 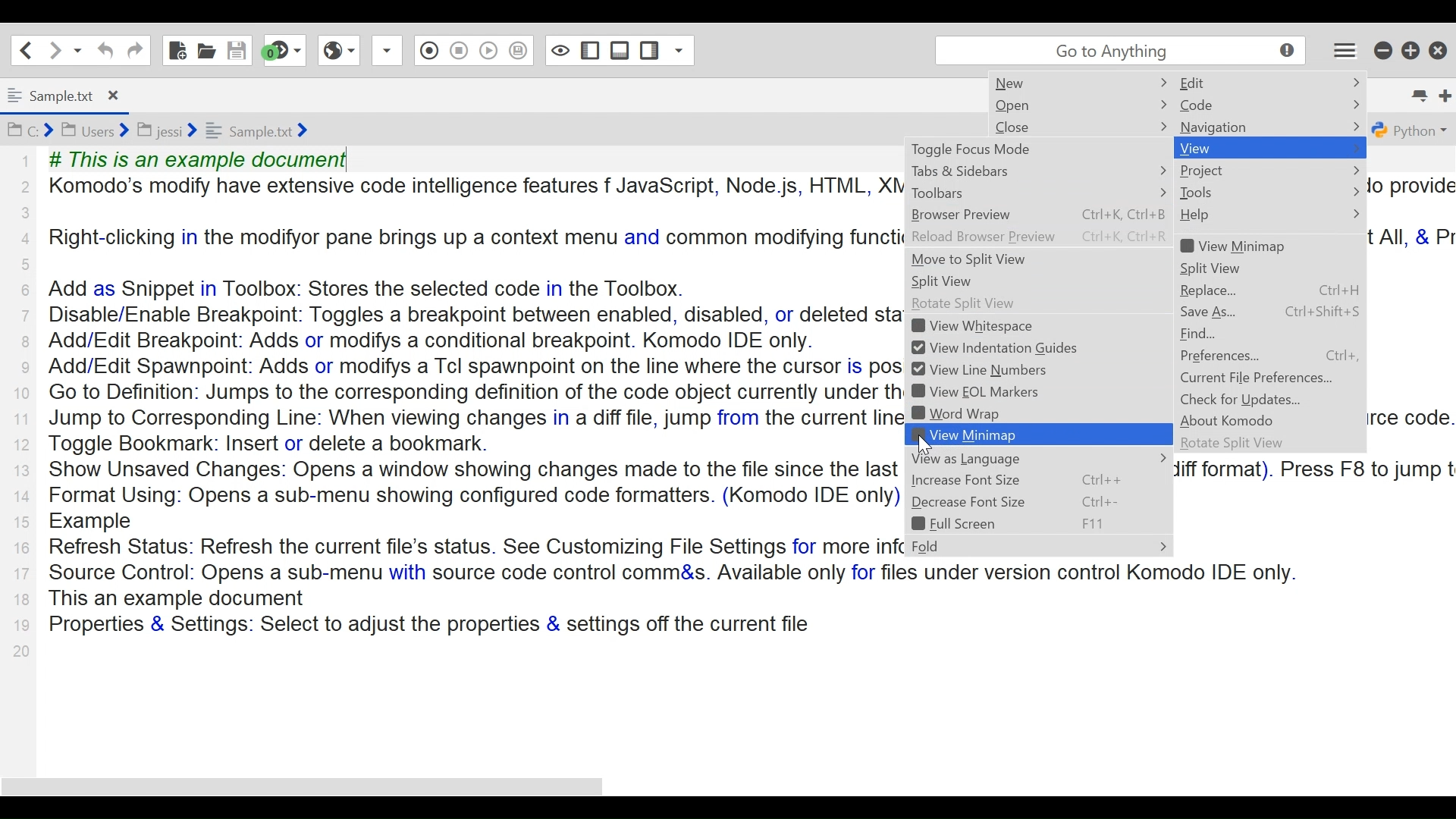 What do you see at coordinates (1038, 237) in the screenshot?
I see `Reload Browser Preview` at bounding box center [1038, 237].